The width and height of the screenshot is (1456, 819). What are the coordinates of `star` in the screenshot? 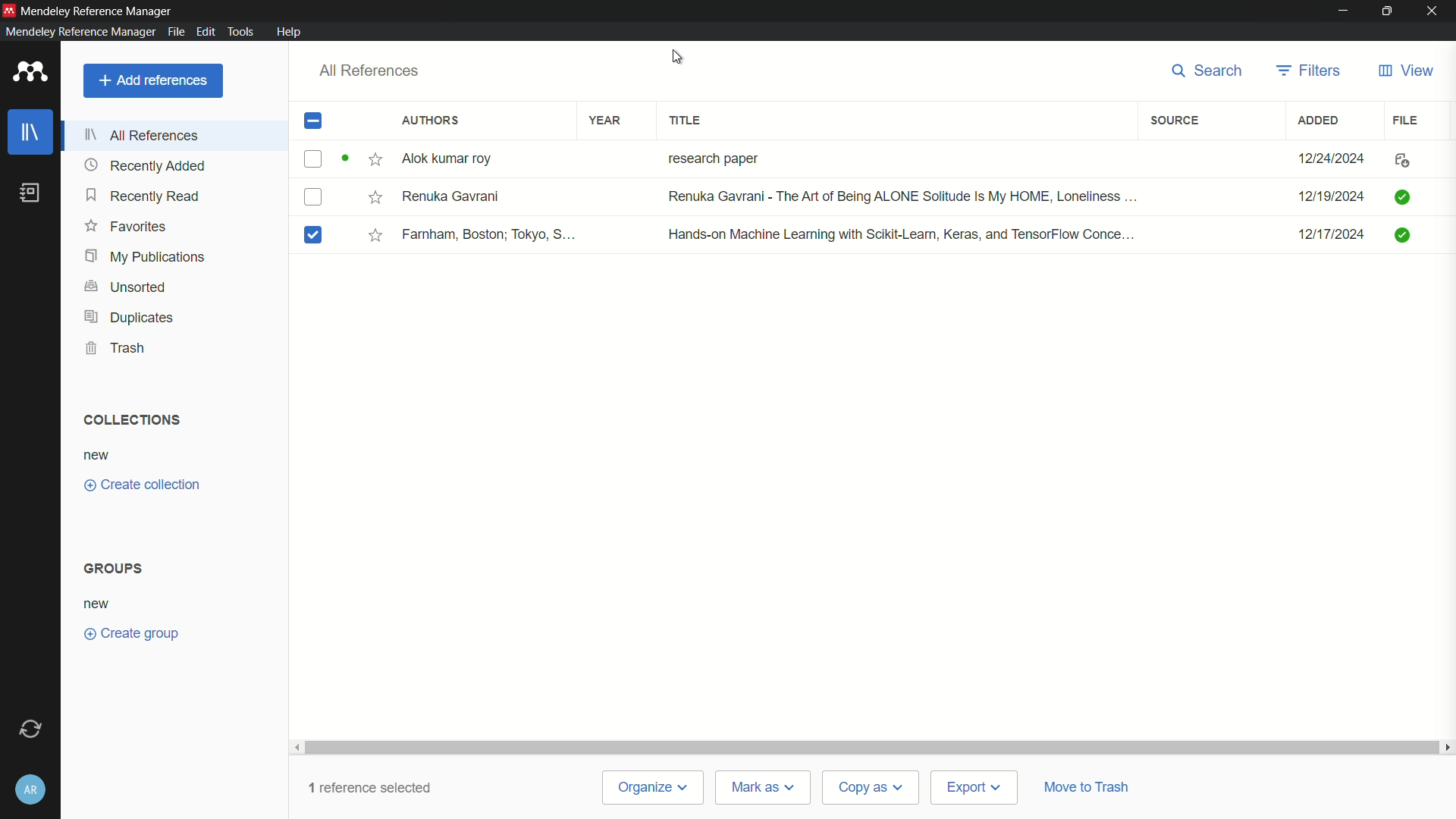 It's located at (375, 199).